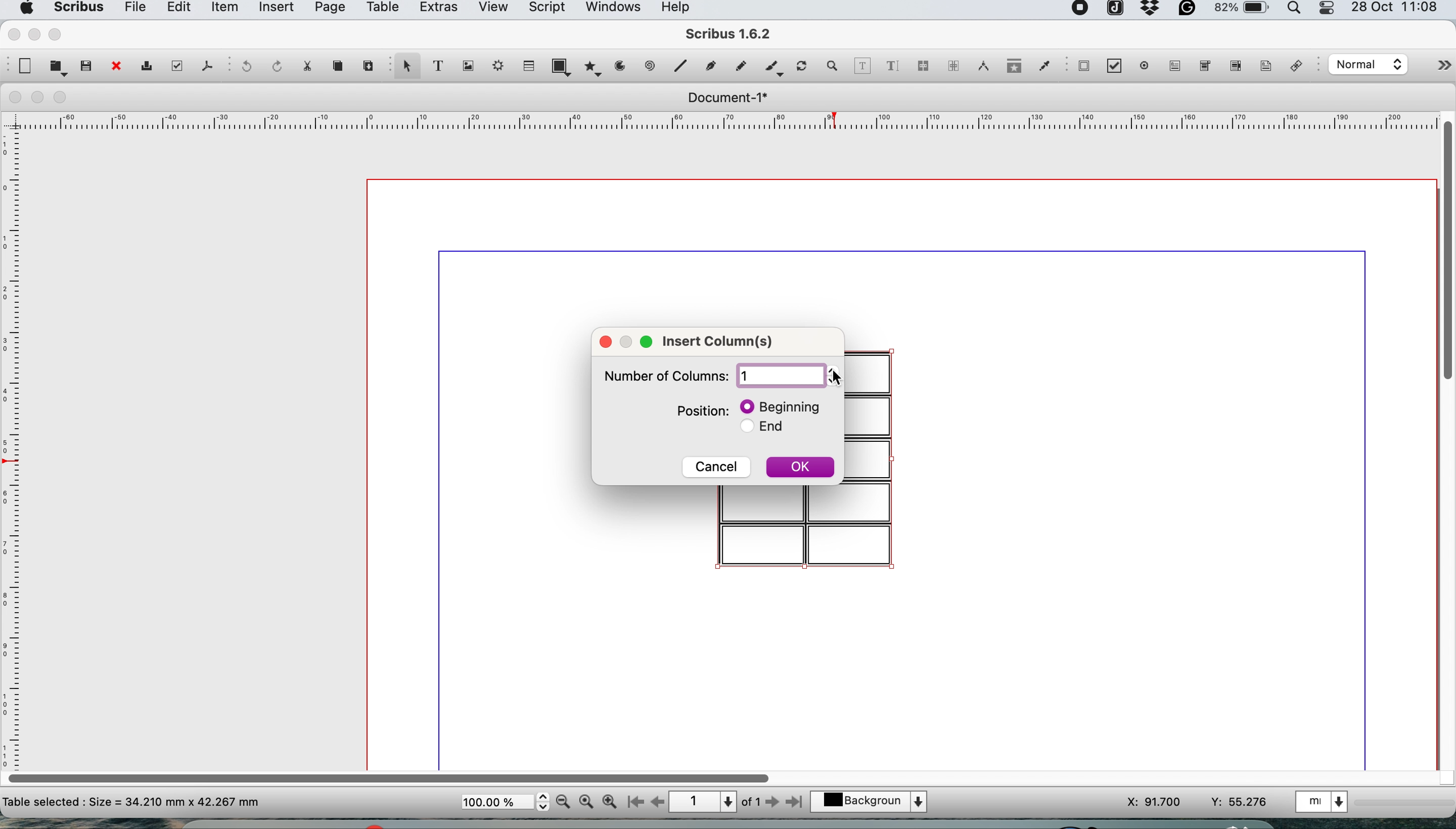  I want to click on more options, so click(1432, 68).